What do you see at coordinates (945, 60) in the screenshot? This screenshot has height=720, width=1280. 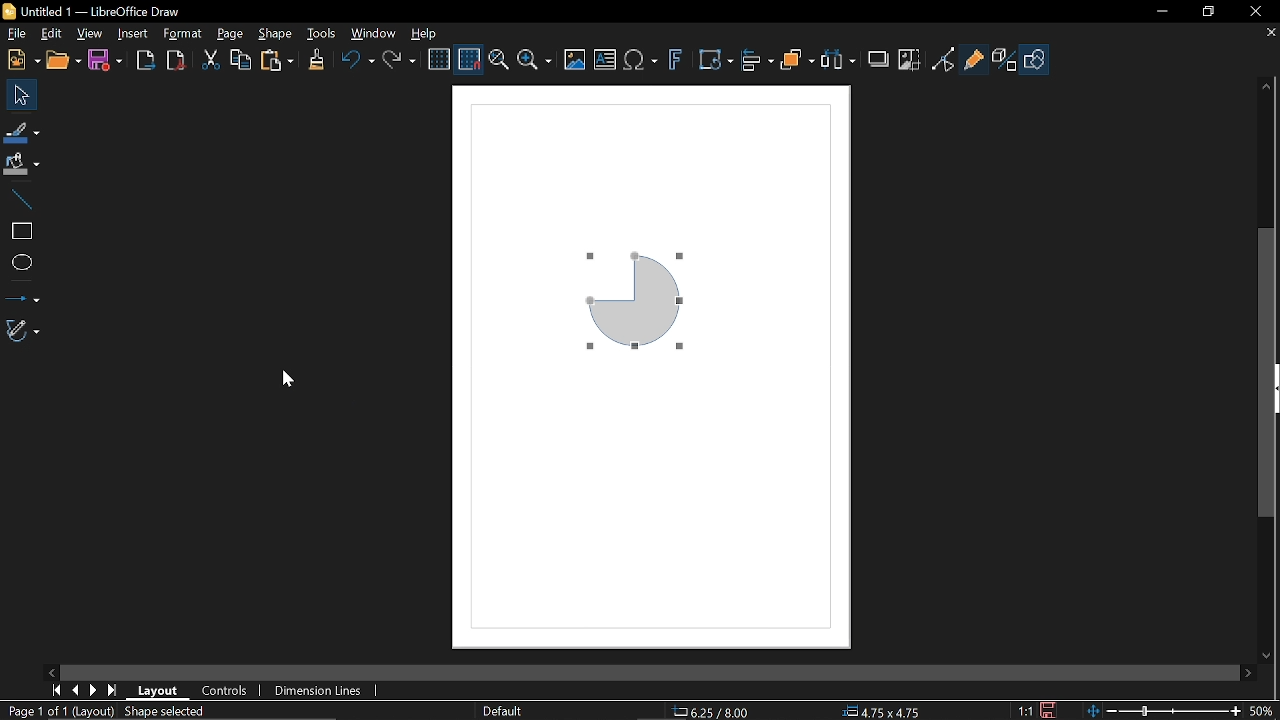 I see `Toggle ` at bounding box center [945, 60].